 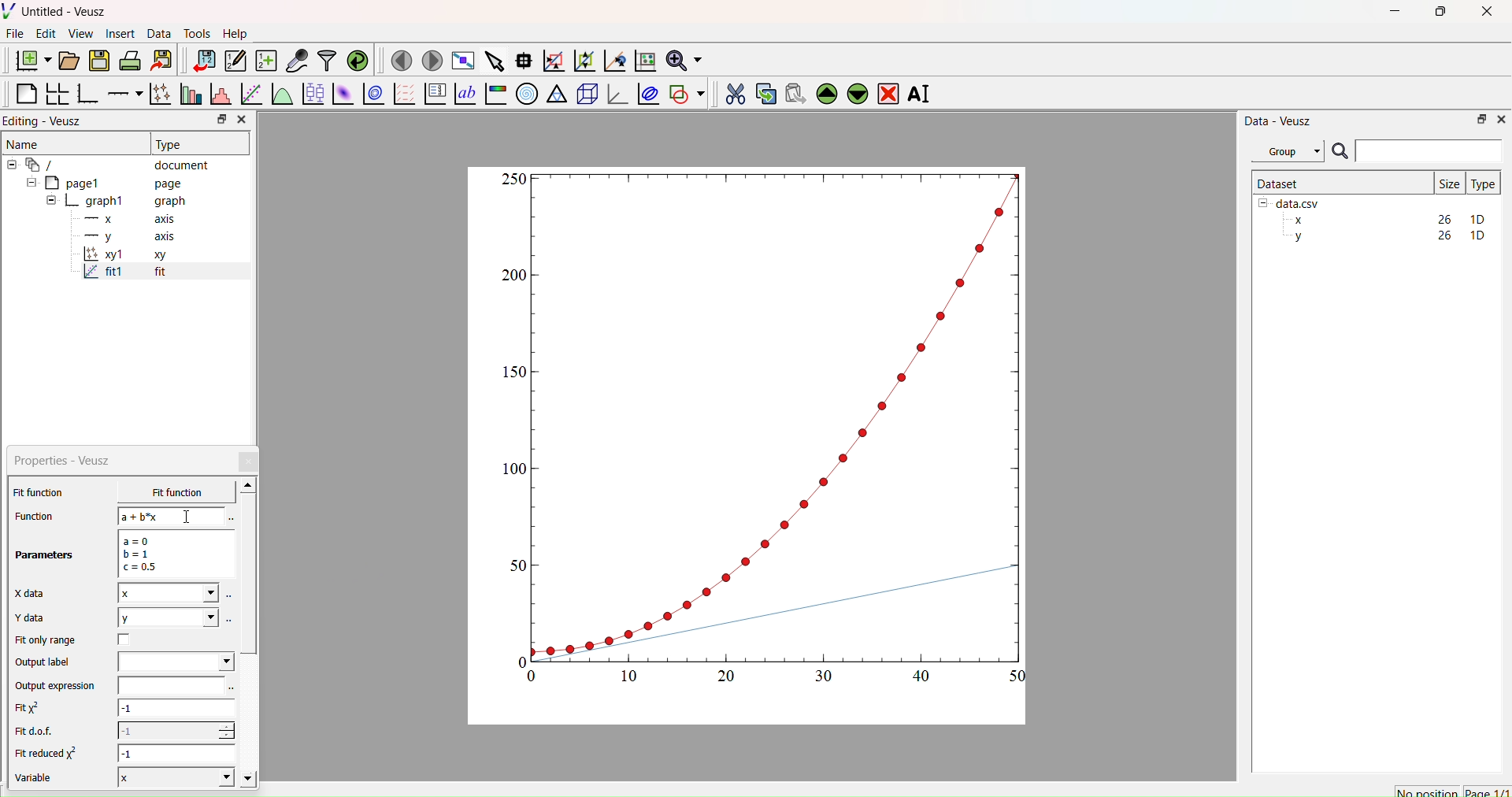 What do you see at coordinates (685, 91) in the screenshot?
I see `Add Shape` at bounding box center [685, 91].